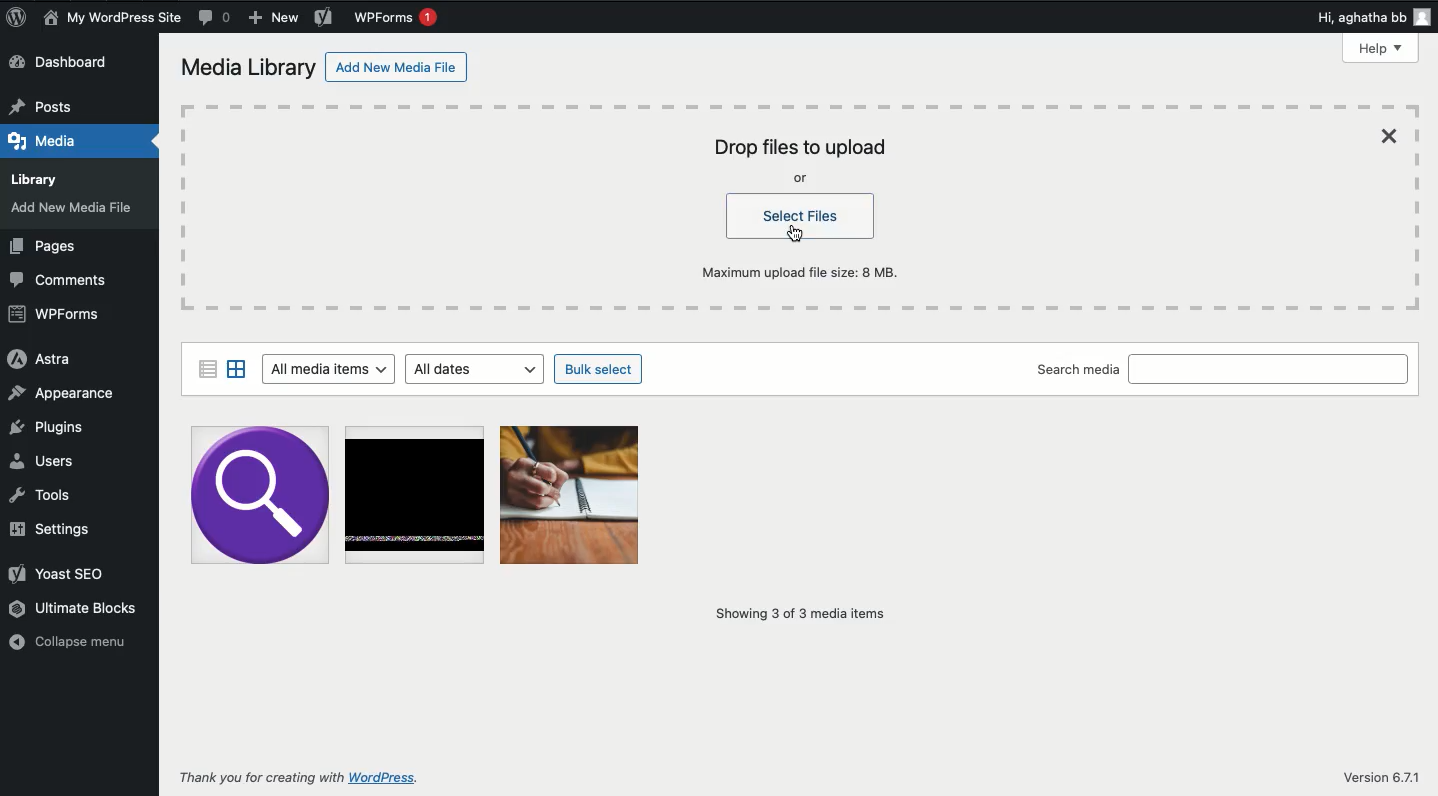 Image resolution: width=1438 pixels, height=796 pixels. What do you see at coordinates (808, 271) in the screenshot?
I see `Maximum upload file size` at bounding box center [808, 271].